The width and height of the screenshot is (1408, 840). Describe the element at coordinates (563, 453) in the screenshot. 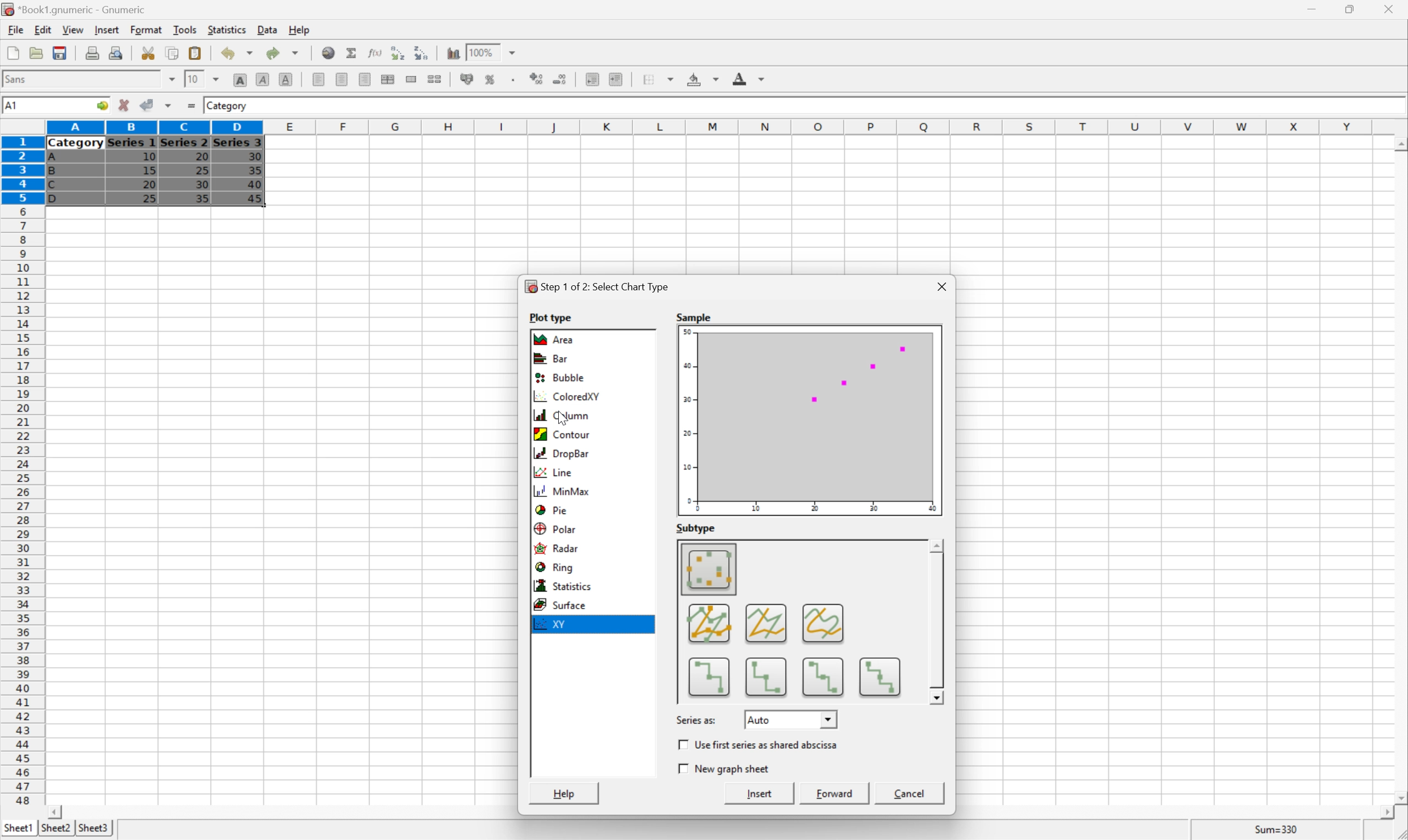

I see `Drop bar` at that location.